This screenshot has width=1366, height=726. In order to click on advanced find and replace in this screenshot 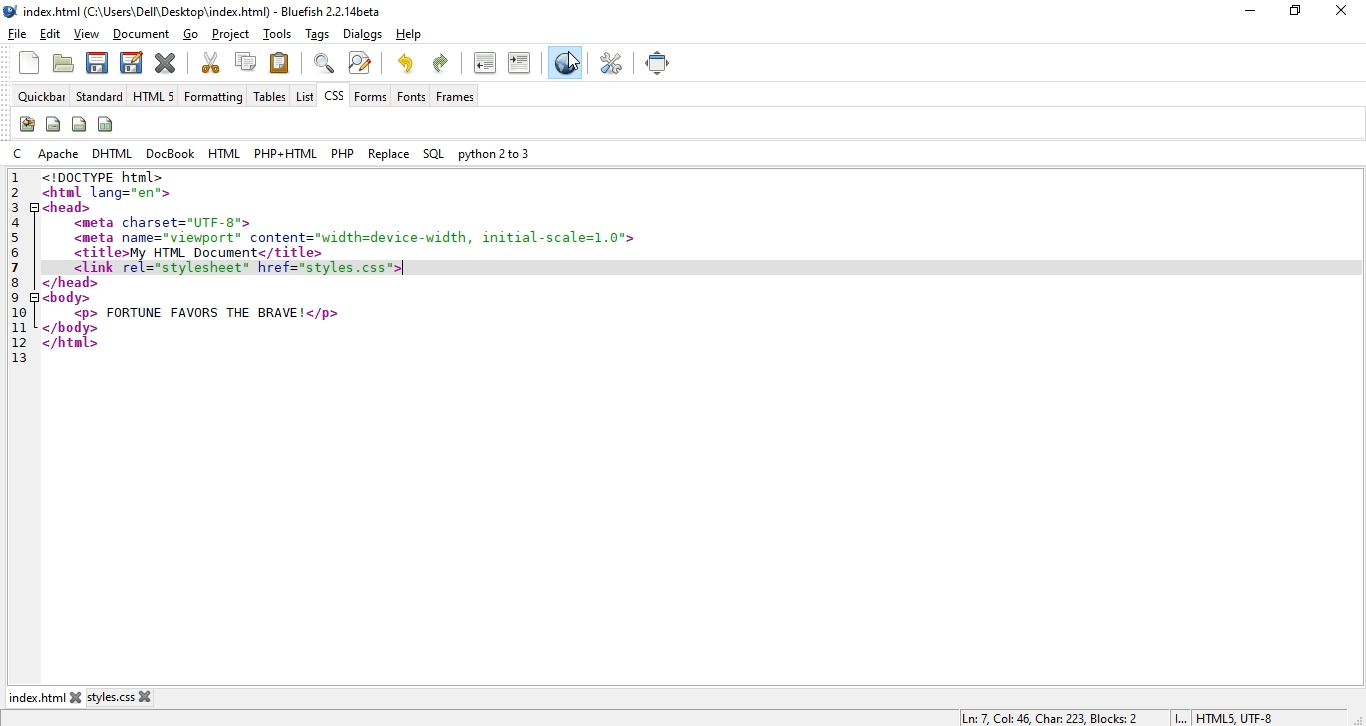, I will do `click(359, 62)`.